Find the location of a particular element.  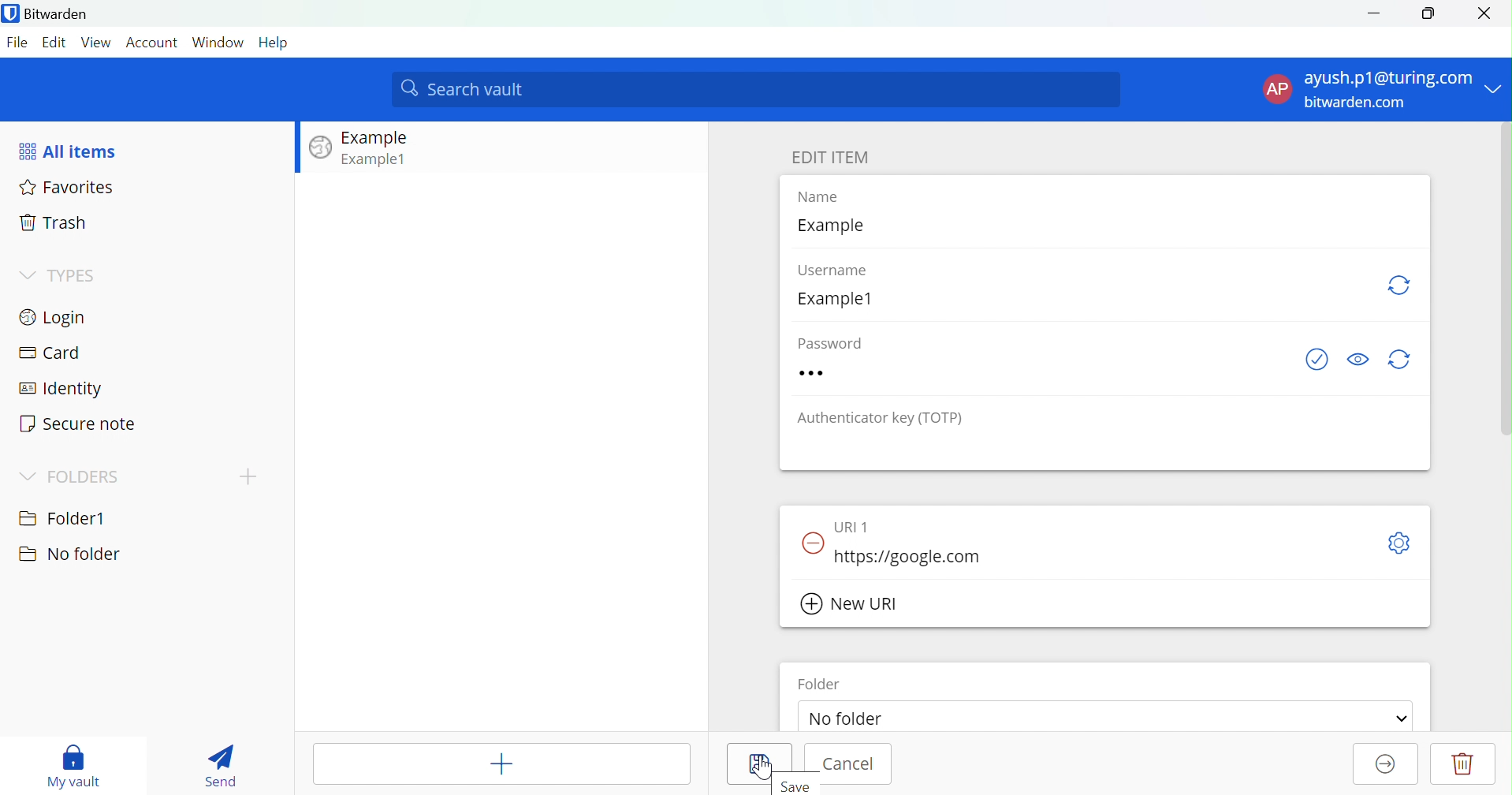

Search vault is located at coordinates (757, 90).